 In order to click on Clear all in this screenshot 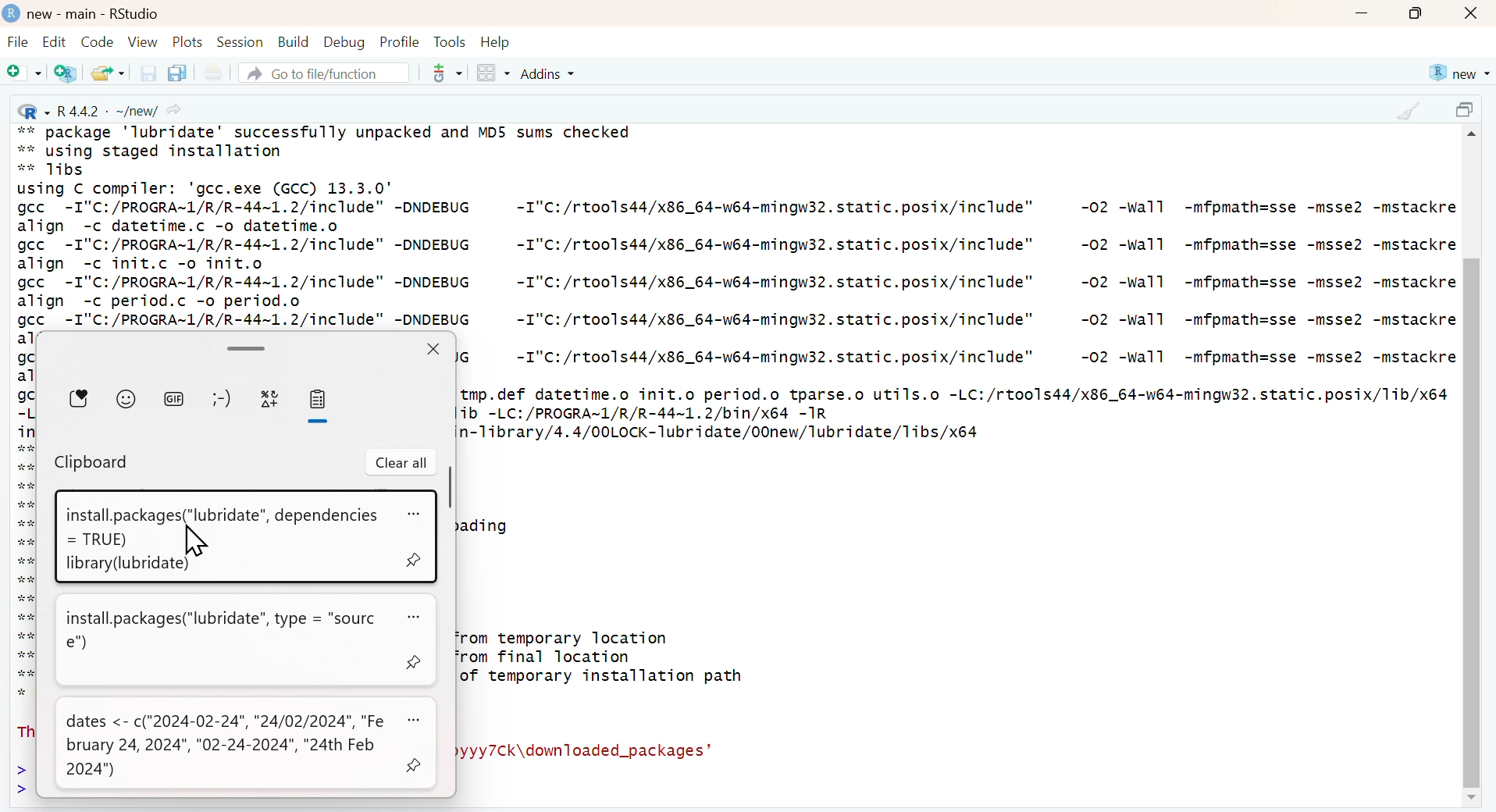, I will do `click(401, 463)`.